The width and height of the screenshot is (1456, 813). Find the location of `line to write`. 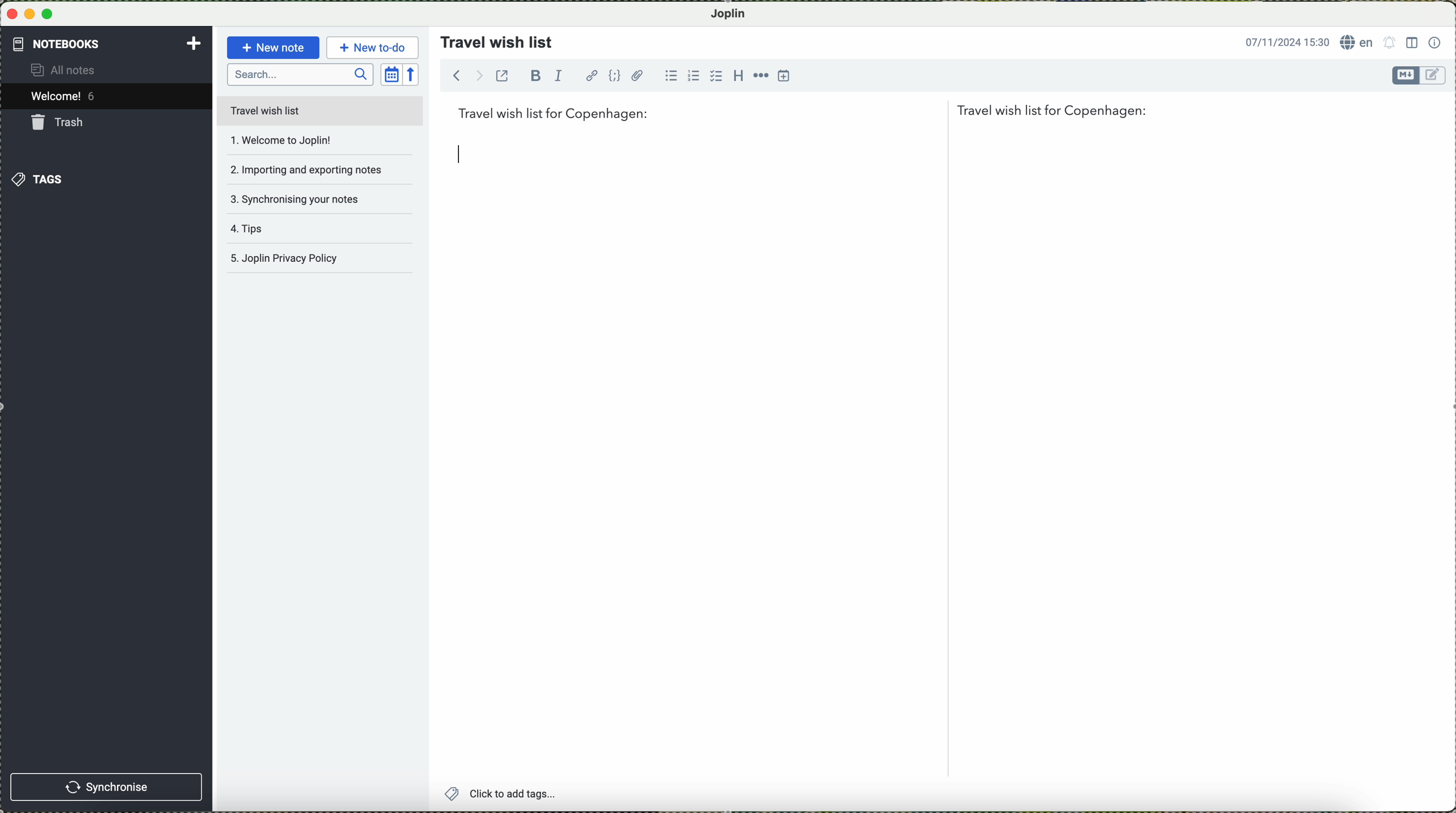

line to write is located at coordinates (458, 156).